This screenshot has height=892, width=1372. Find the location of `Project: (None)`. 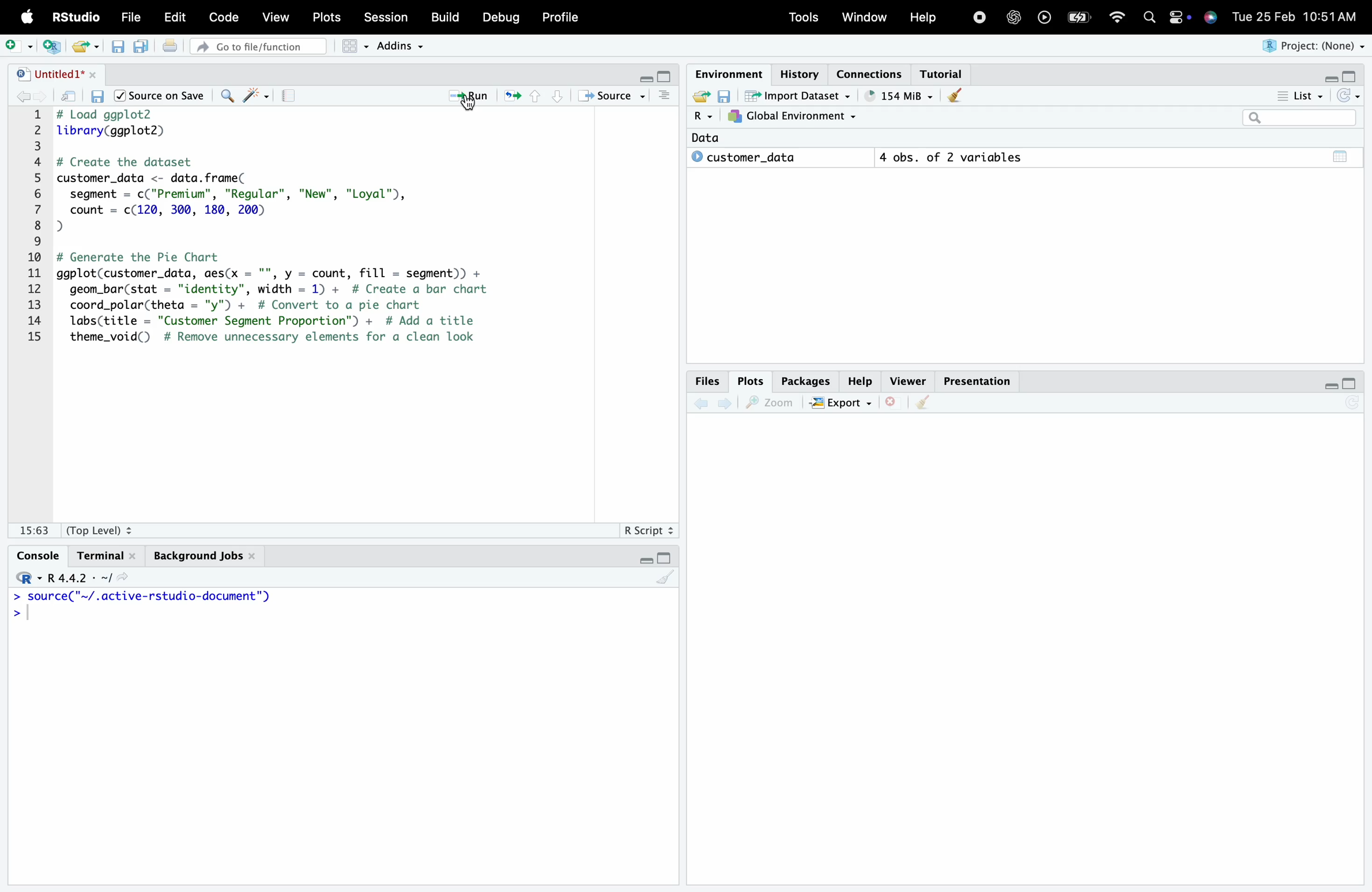

Project: (None) is located at coordinates (1310, 46).